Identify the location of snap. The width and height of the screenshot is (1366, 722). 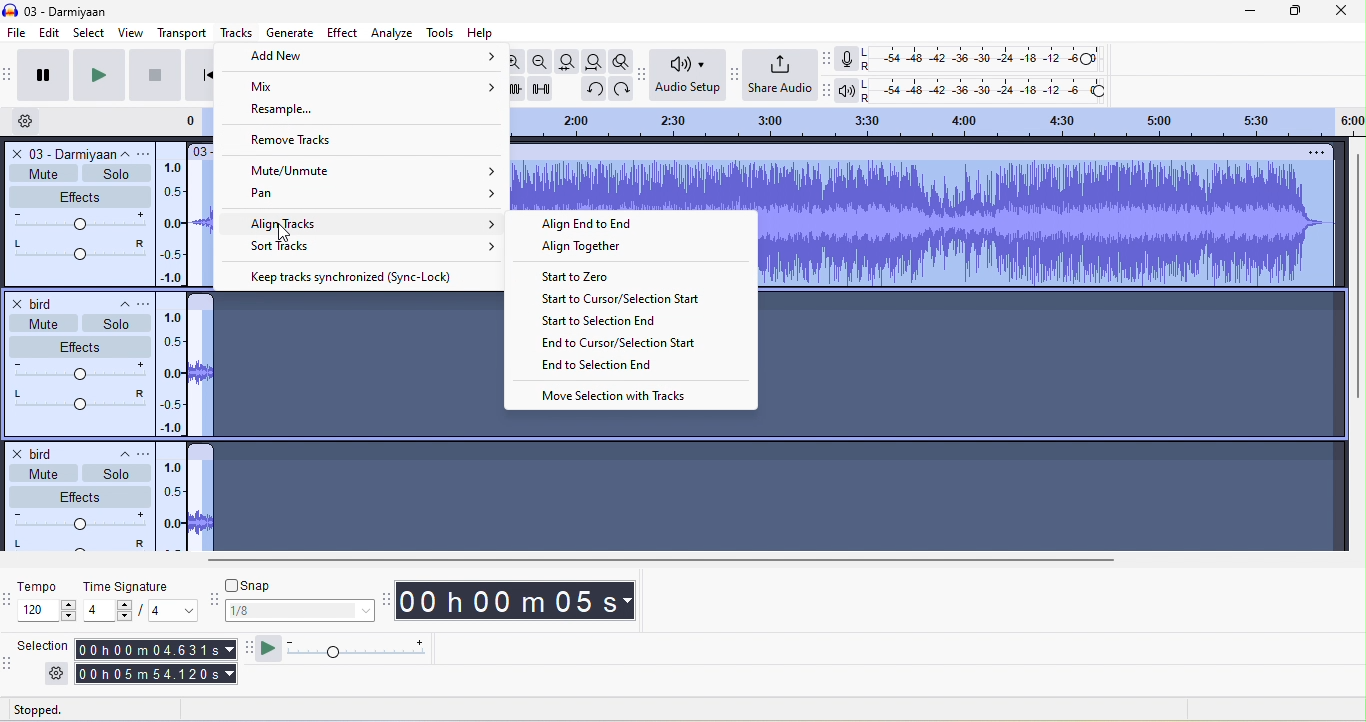
(294, 586).